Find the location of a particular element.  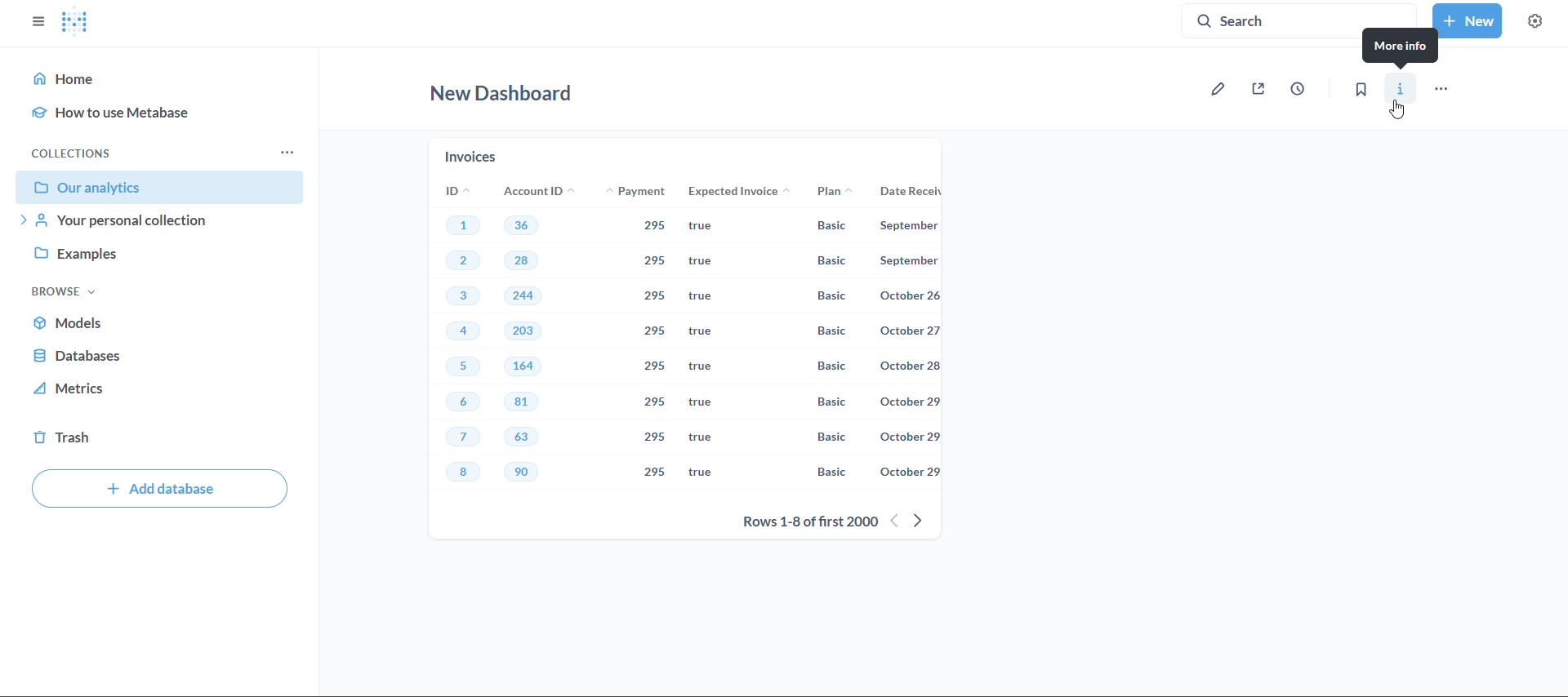

how to use metabase is located at coordinates (128, 109).